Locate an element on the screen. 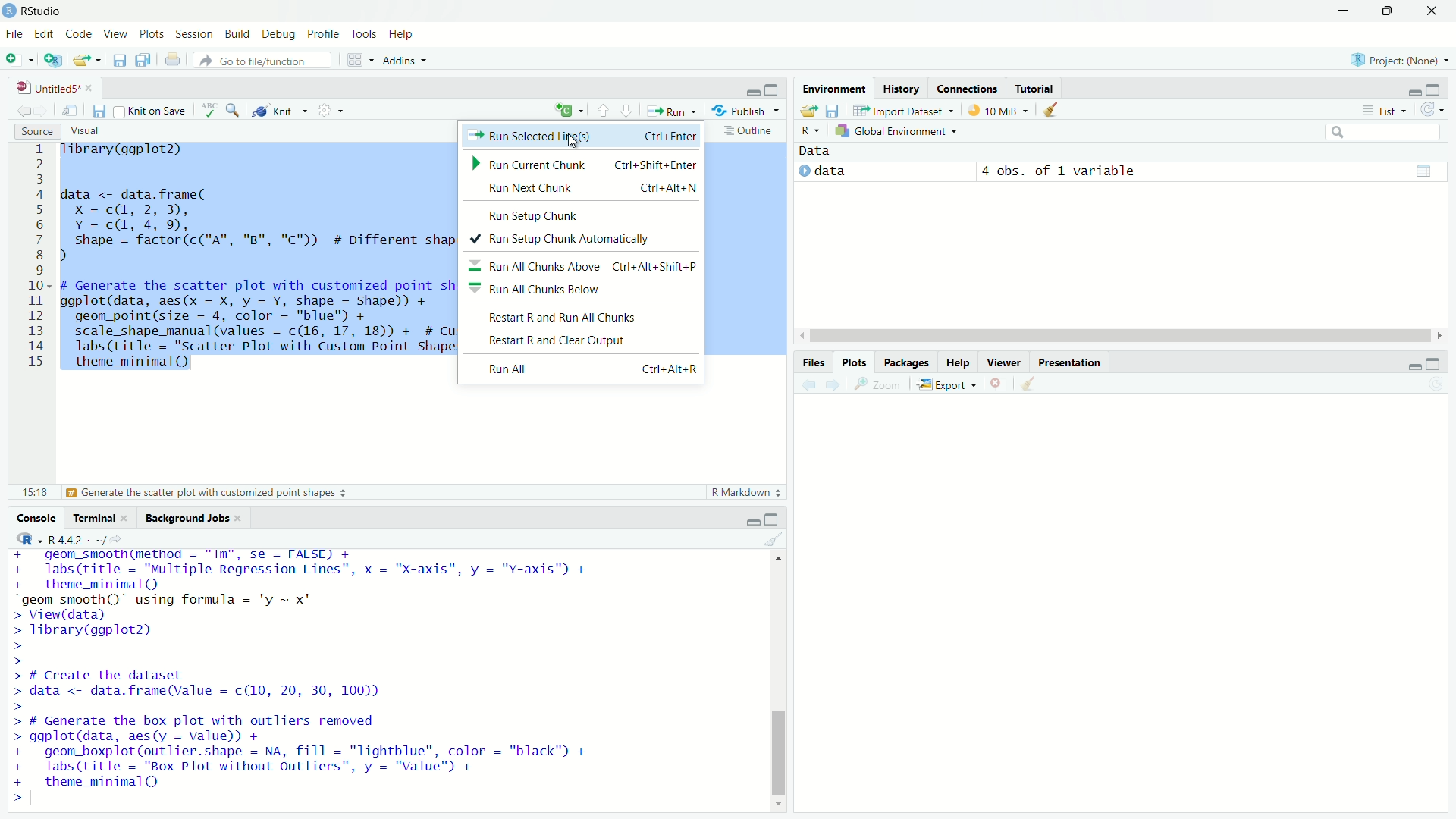 The height and width of the screenshot is (819, 1456). close is located at coordinates (237, 519).